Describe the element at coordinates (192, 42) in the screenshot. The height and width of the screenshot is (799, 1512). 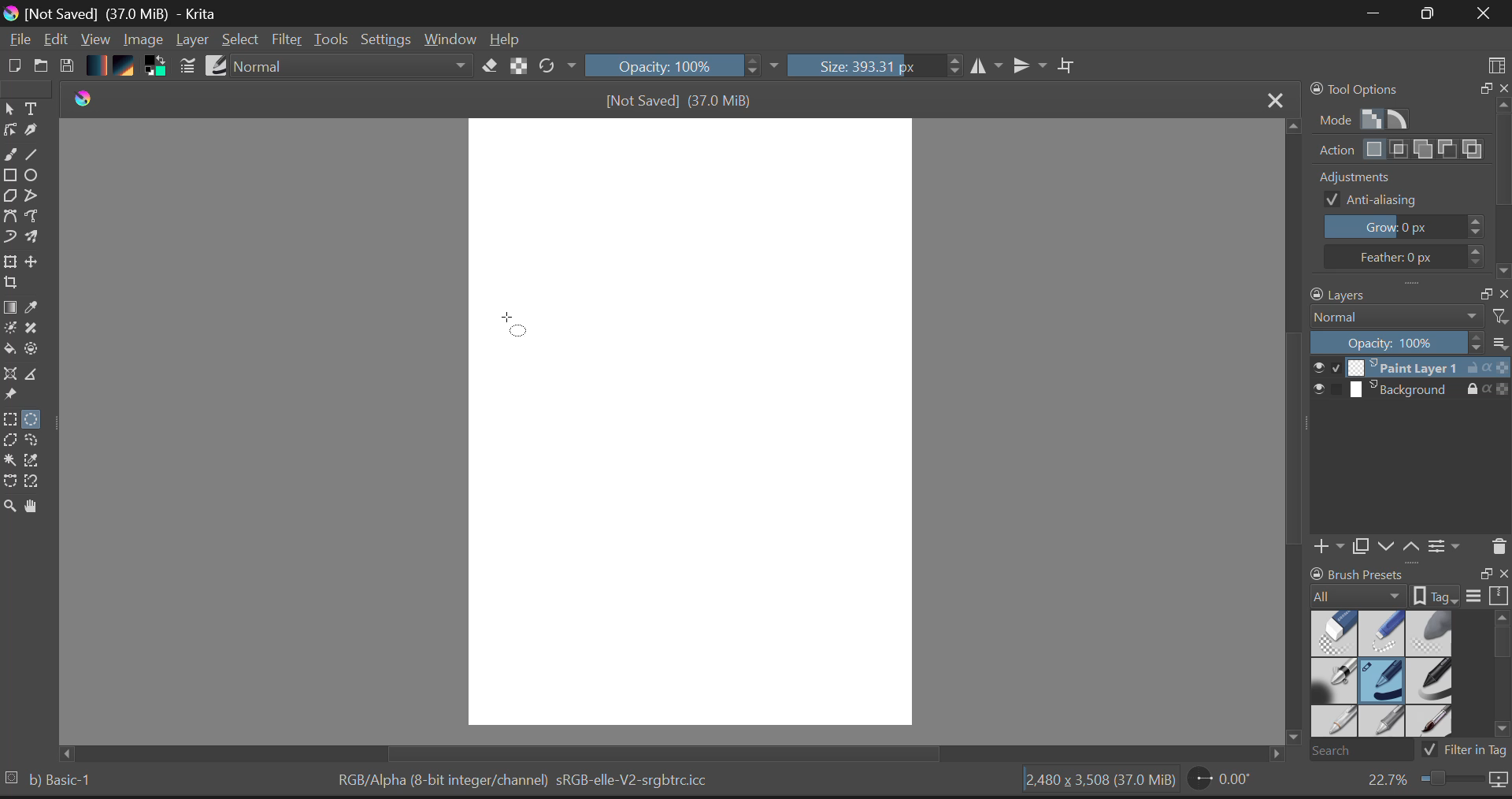
I see `Layer` at that location.